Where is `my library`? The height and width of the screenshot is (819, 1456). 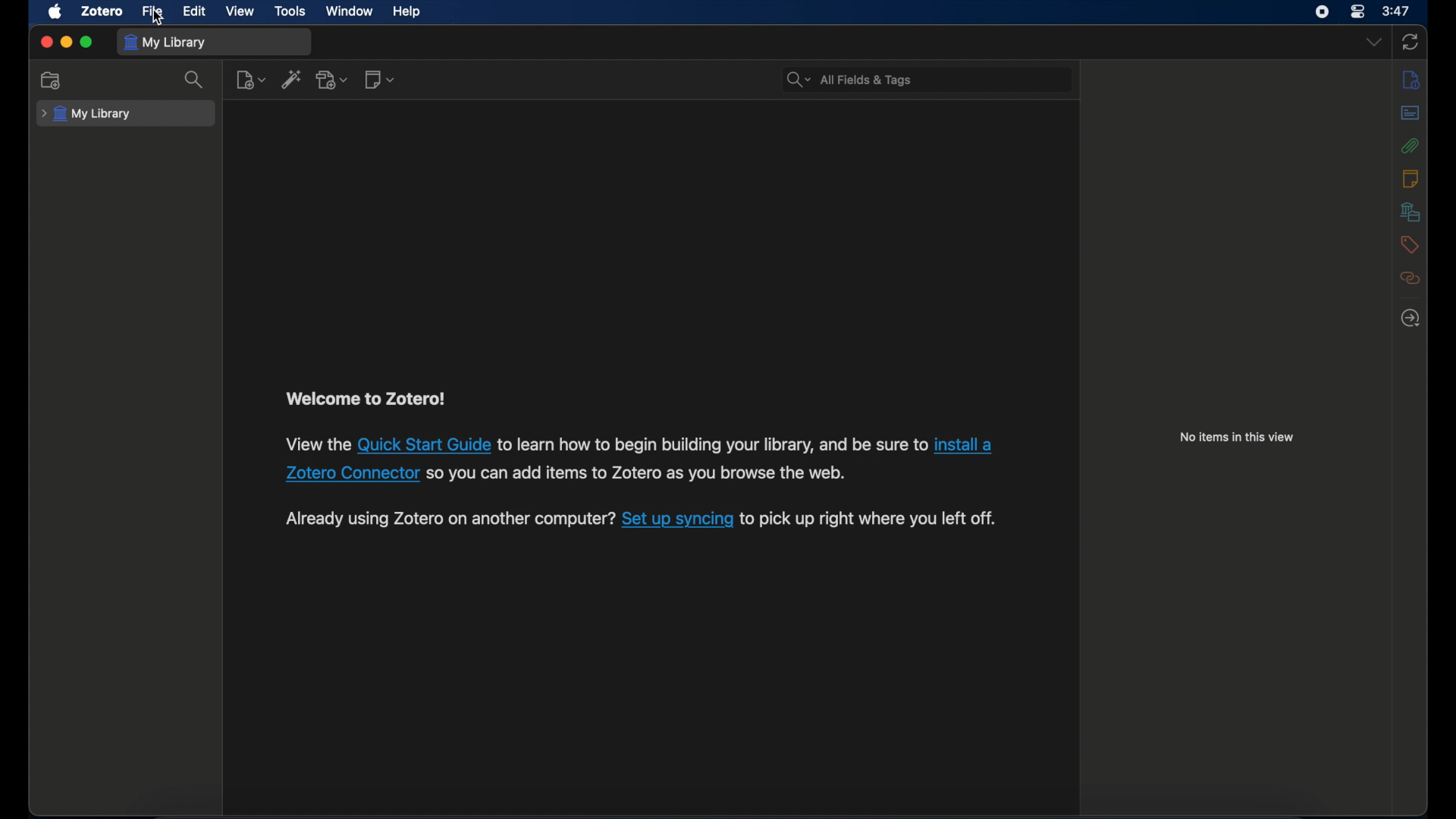 my library is located at coordinates (86, 114).